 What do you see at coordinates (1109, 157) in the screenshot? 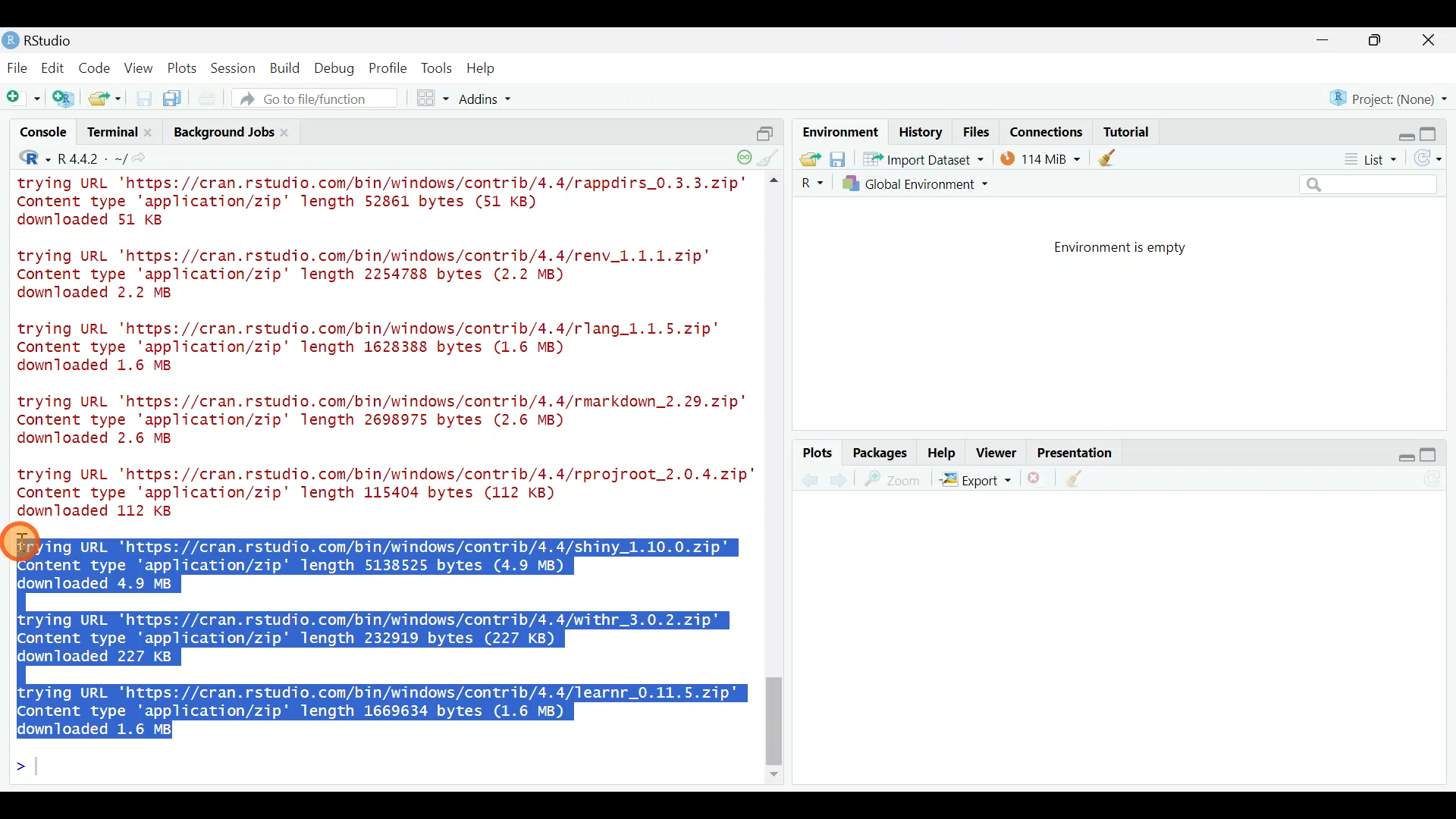
I see `clear objects from the workspace` at bounding box center [1109, 157].